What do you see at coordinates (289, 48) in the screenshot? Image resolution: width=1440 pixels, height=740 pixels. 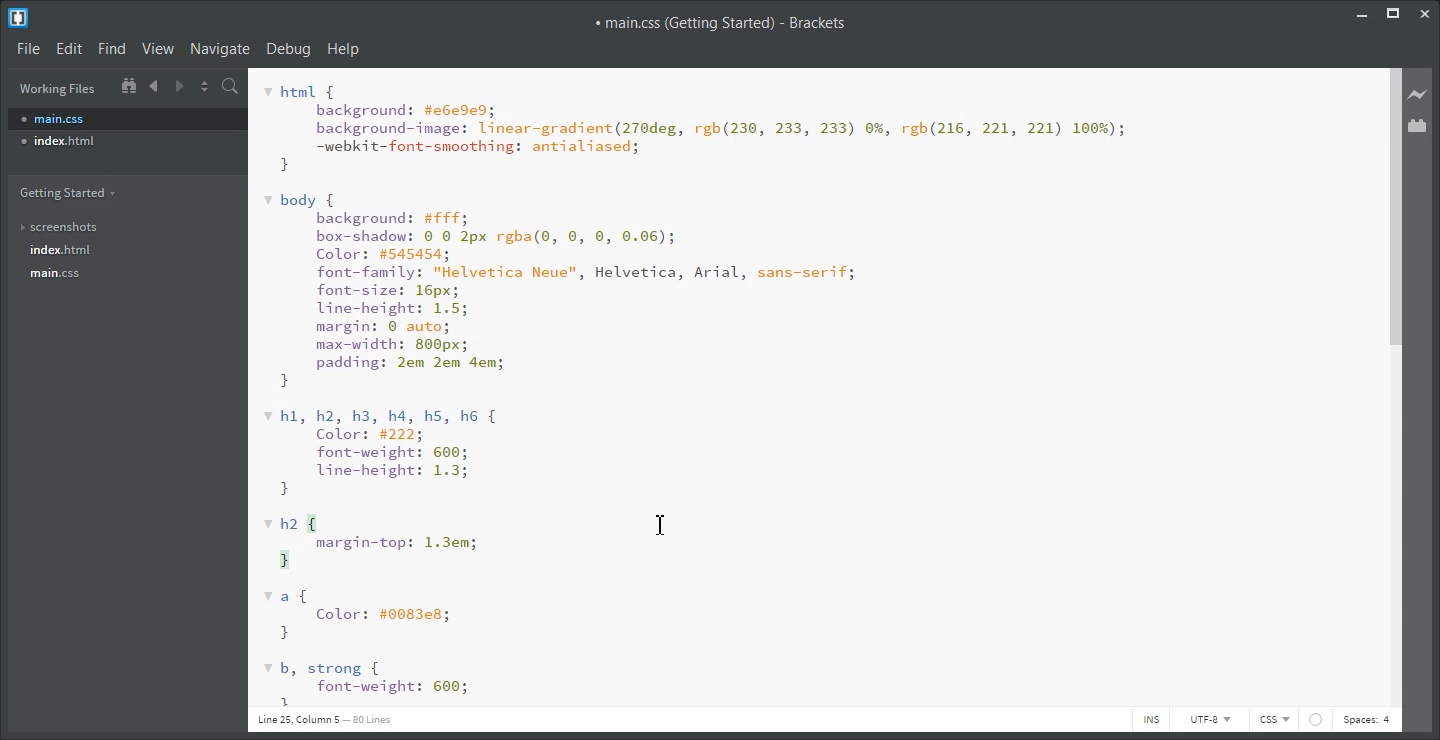 I see `Debug` at bounding box center [289, 48].